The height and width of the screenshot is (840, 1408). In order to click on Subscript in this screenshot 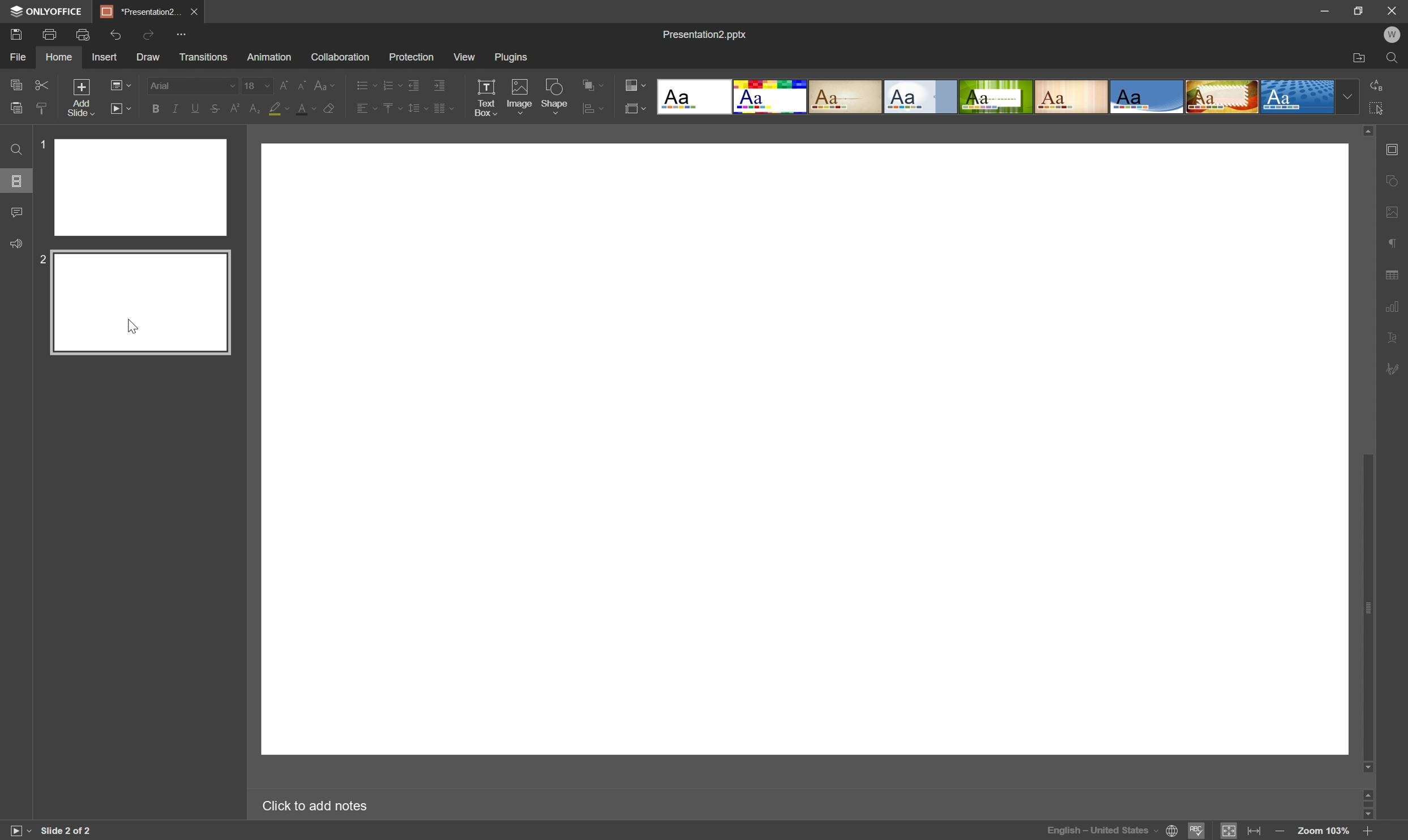, I will do `click(257, 107)`.